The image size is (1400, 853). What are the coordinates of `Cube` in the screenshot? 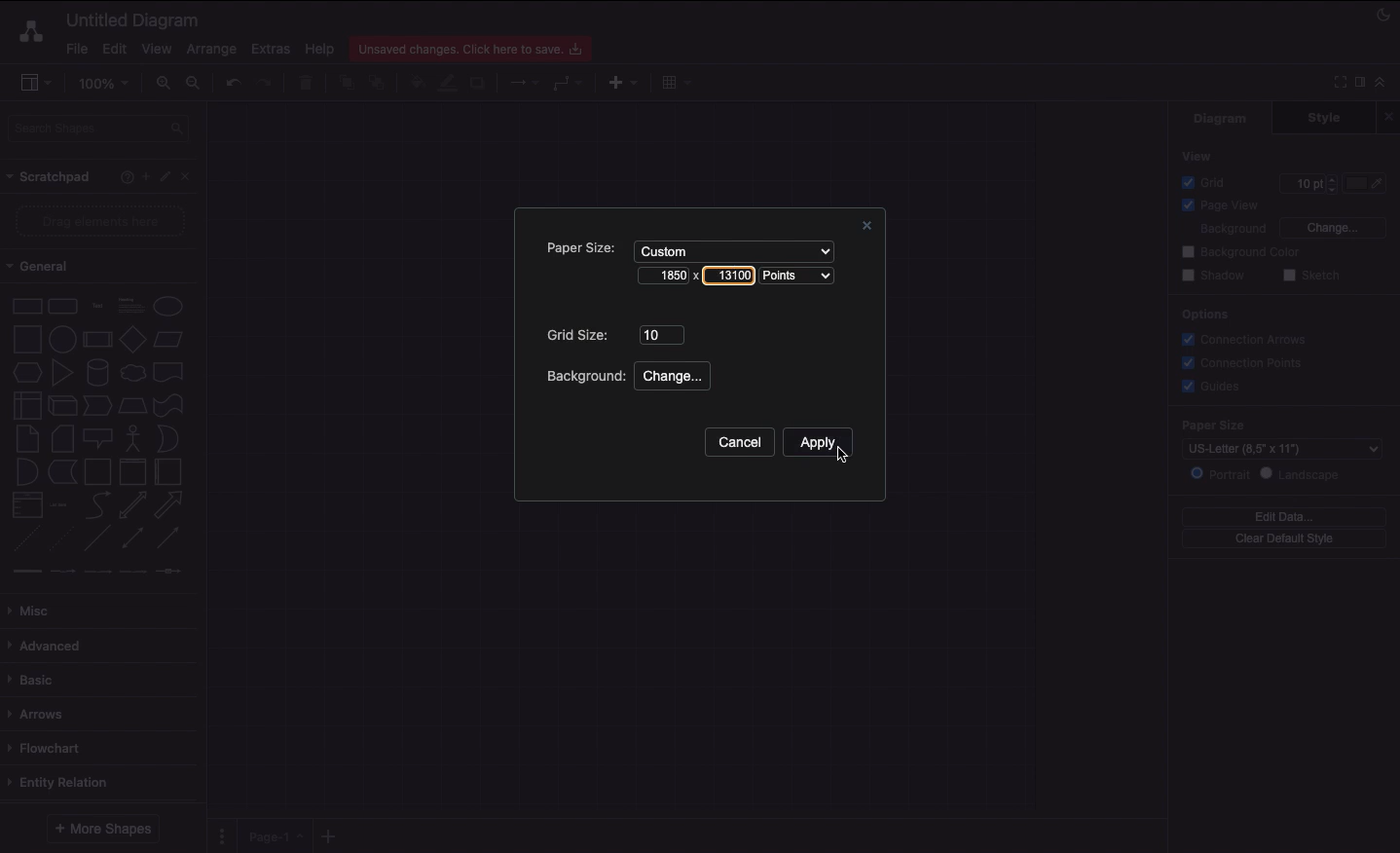 It's located at (62, 406).